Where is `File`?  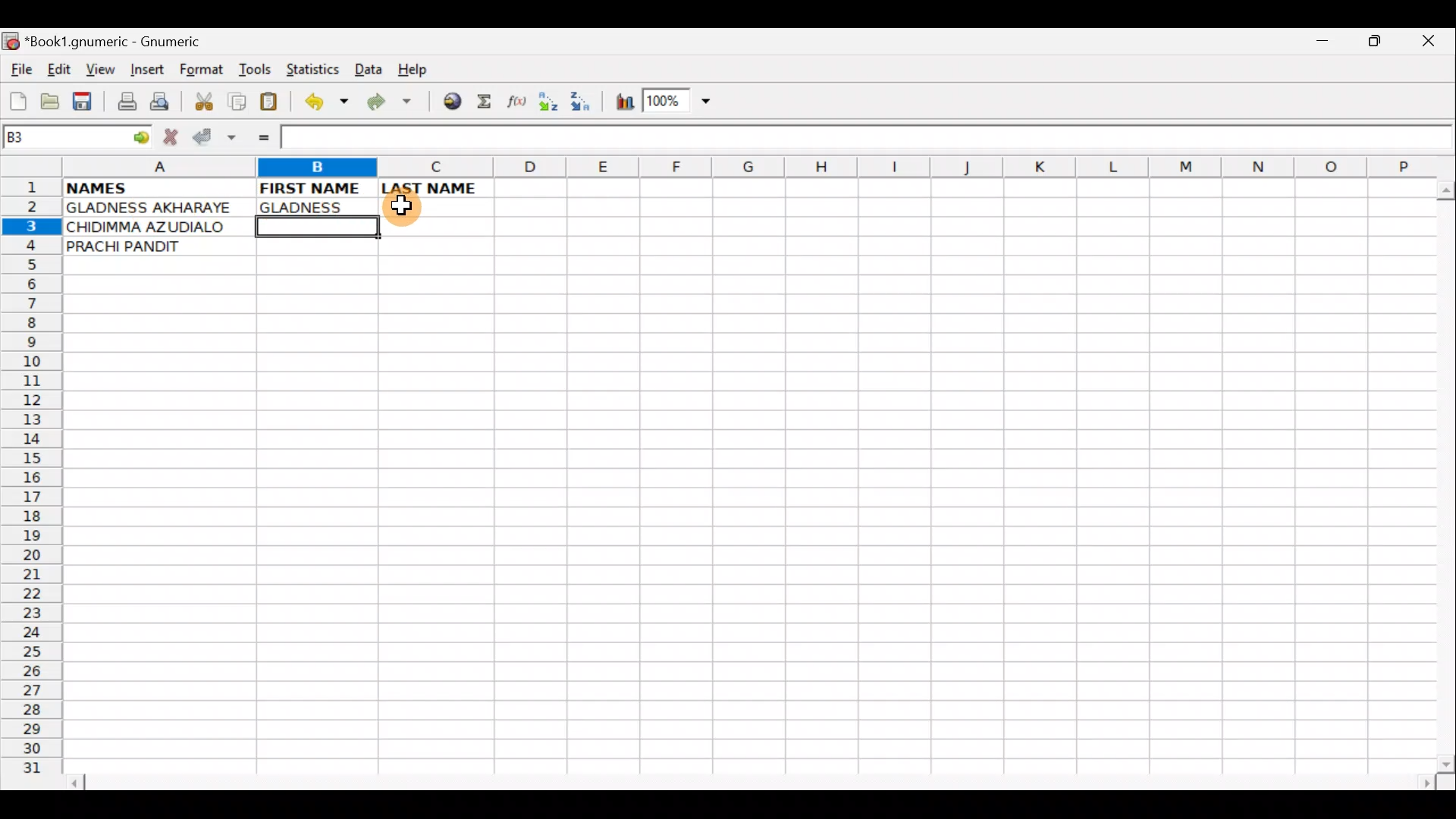 File is located at coordinates (20, 71).